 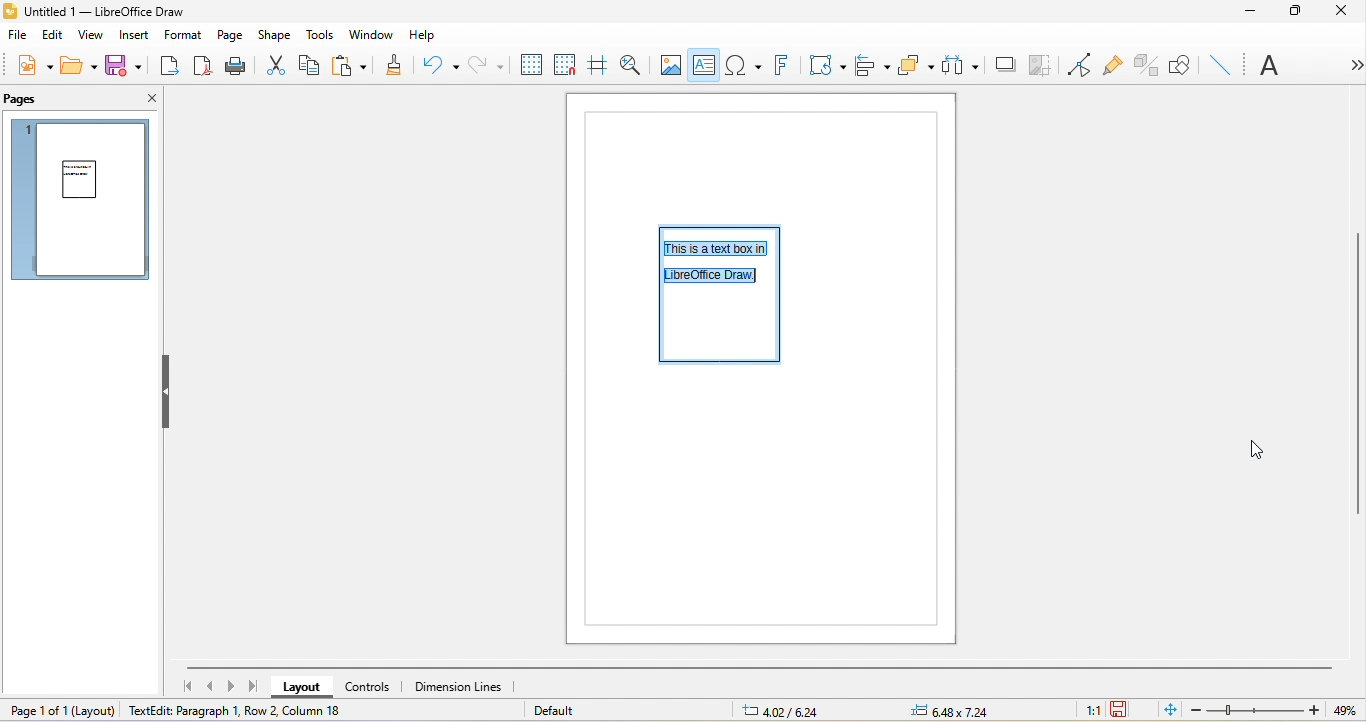 I want to click on view, so click(x=95, y=36).